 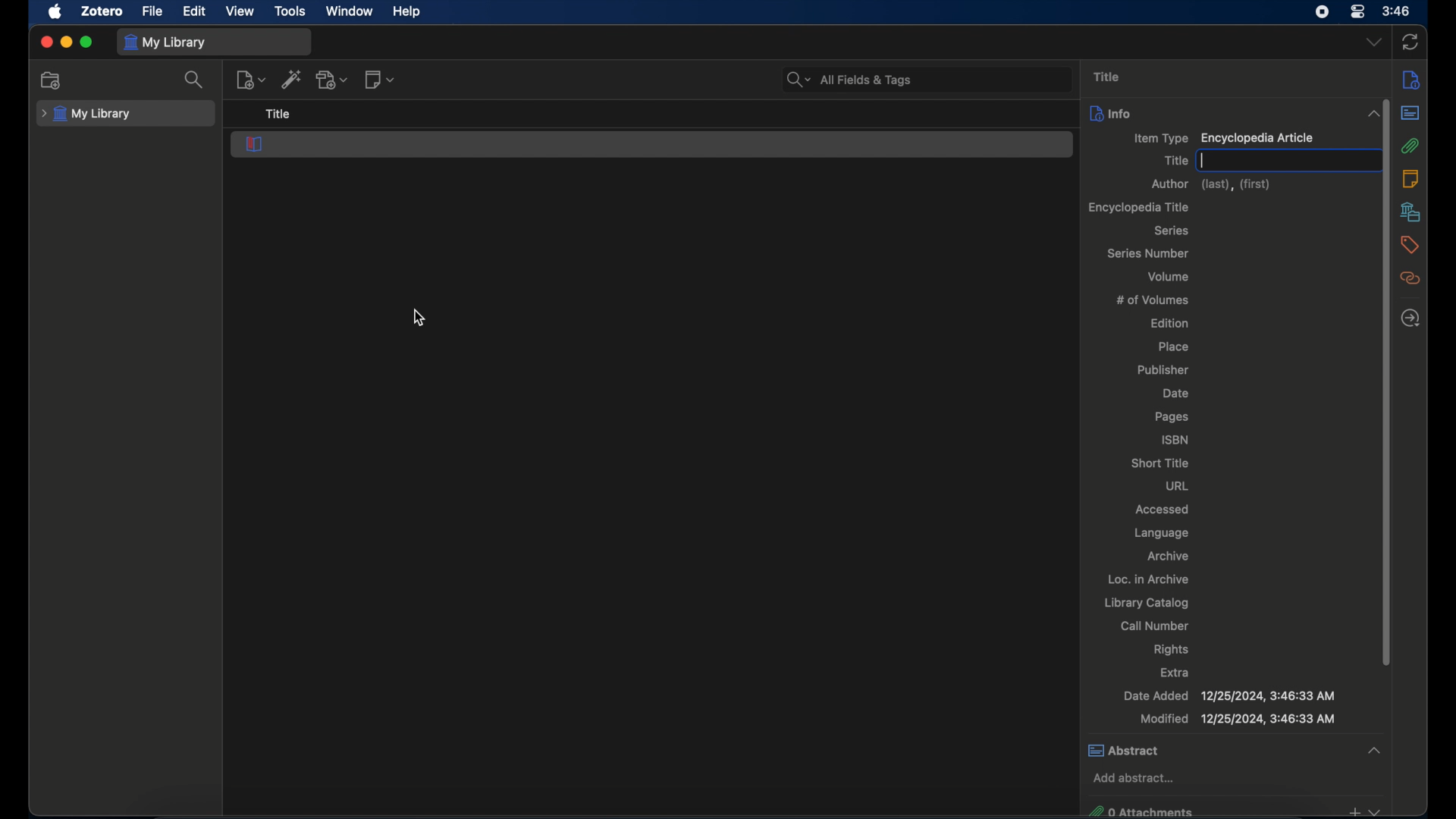 I want to click on text cursor, so click(x=1204, y=161).